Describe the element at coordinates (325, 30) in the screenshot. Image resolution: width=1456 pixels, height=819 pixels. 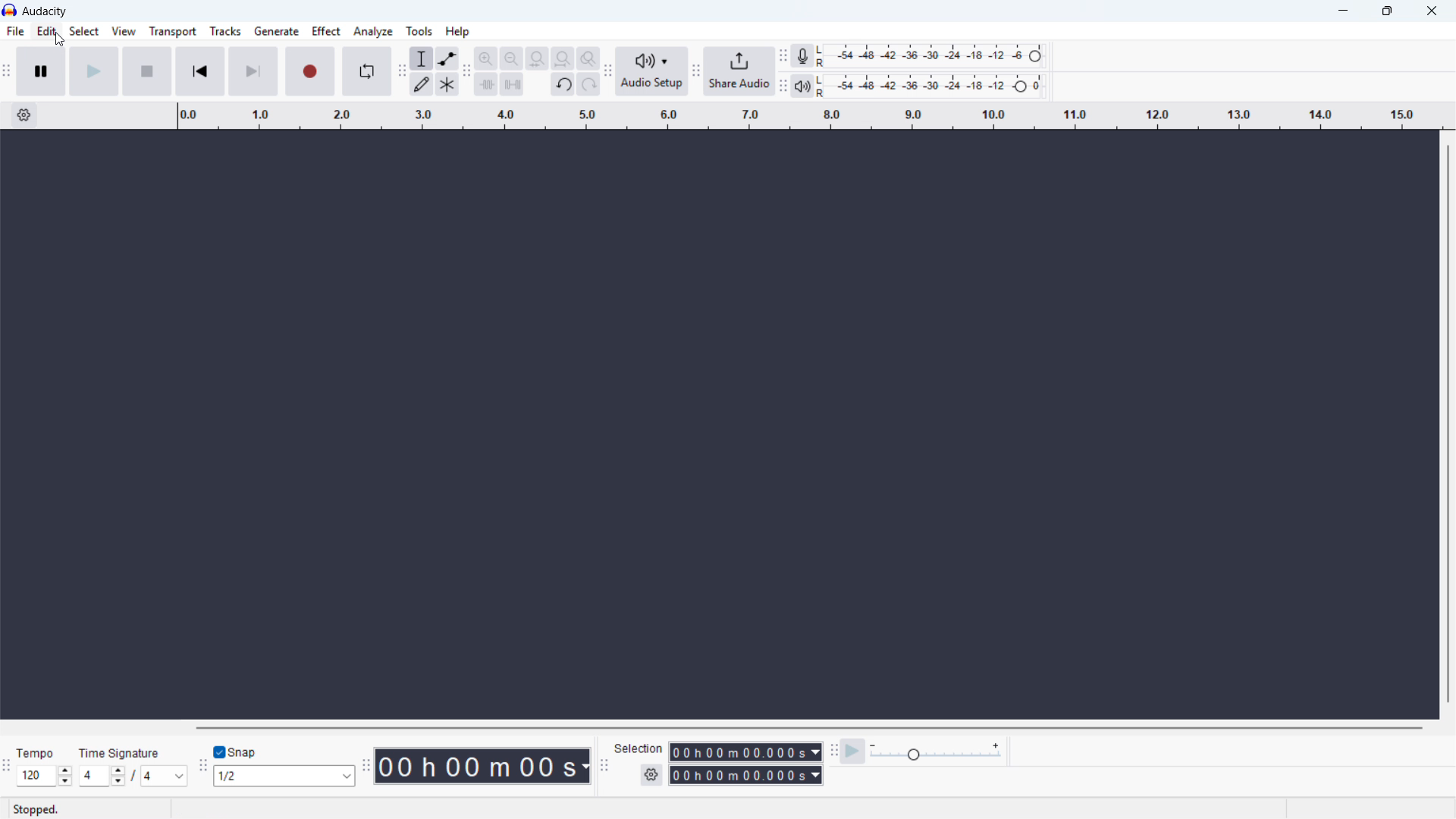
I see `effect` at that location.